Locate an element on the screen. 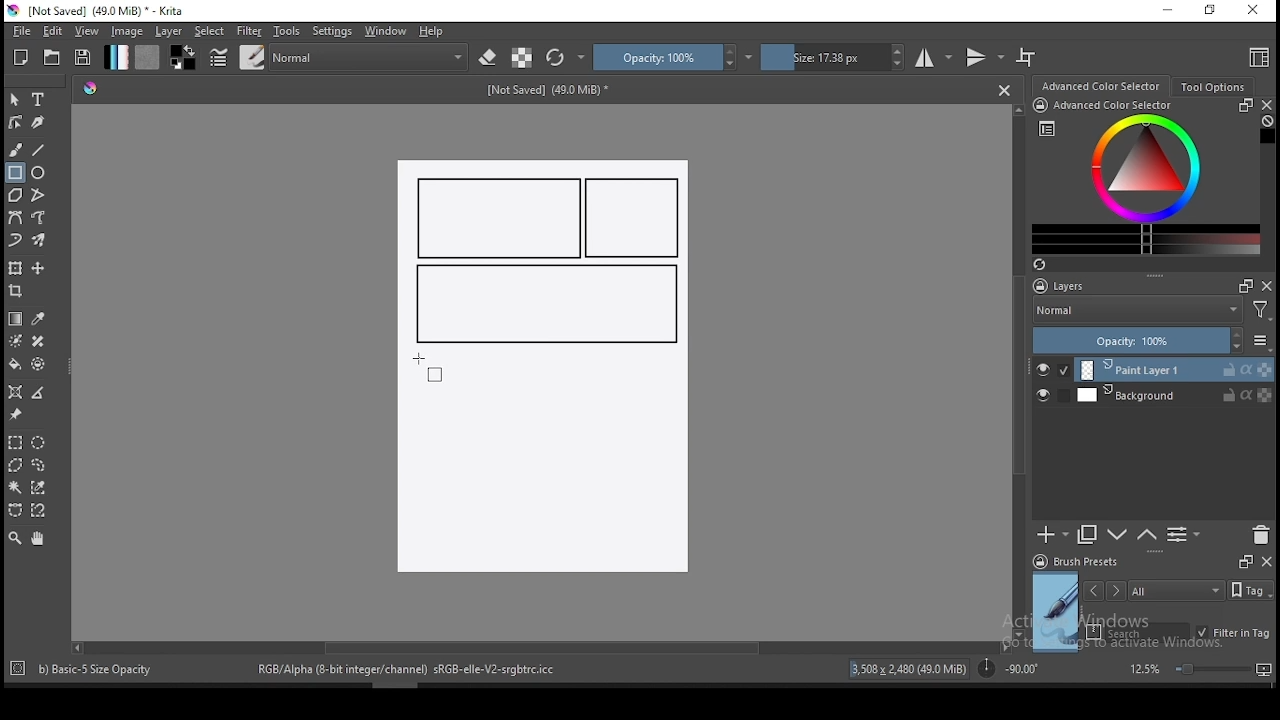 The height and width of the screenshot is (720, 1280). Image is located at coordinates (541, 468).